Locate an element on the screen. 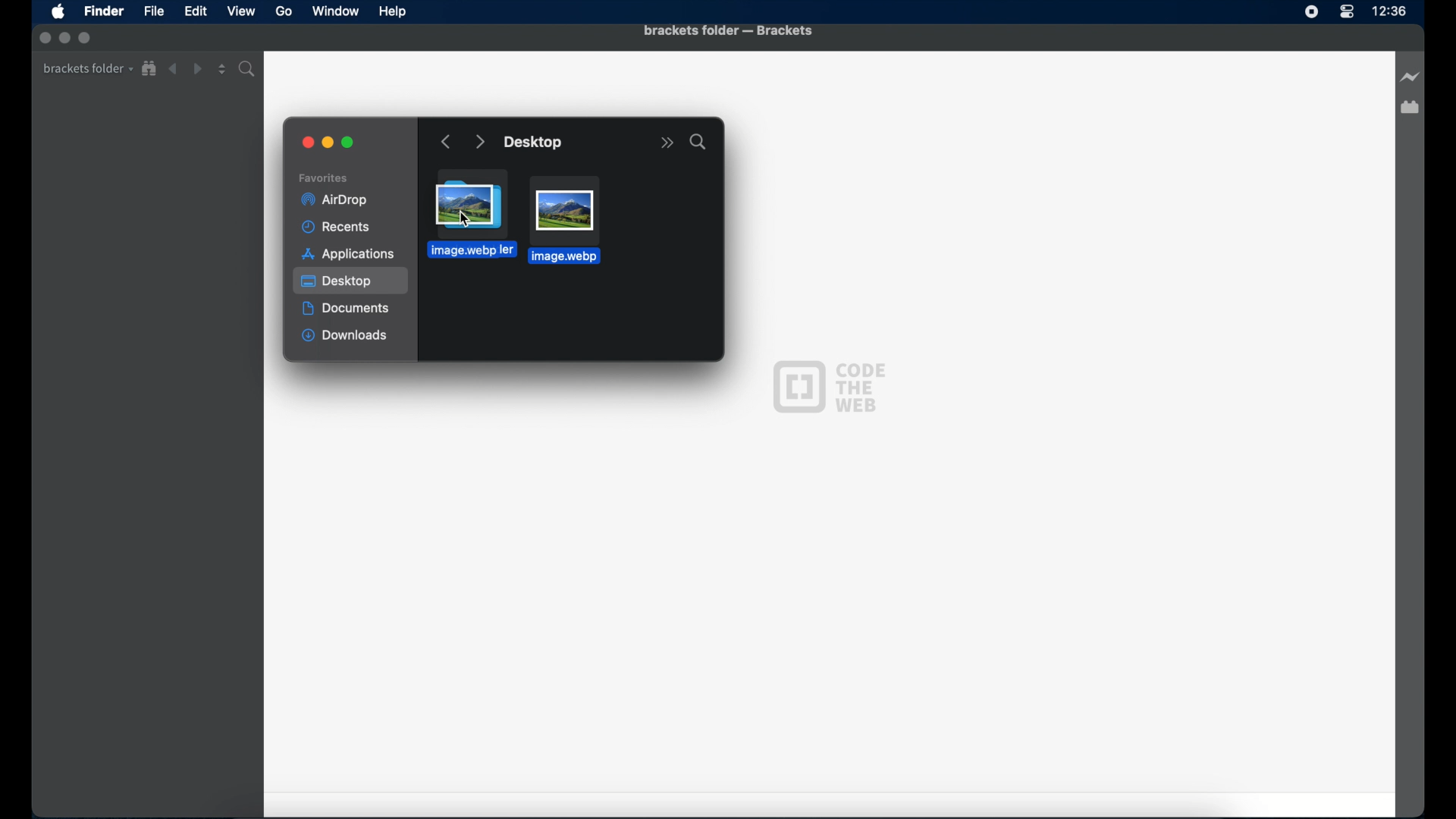 This screenshot has width=1456, height=819. screen recorder icon is located at coordinates (1312, 13).